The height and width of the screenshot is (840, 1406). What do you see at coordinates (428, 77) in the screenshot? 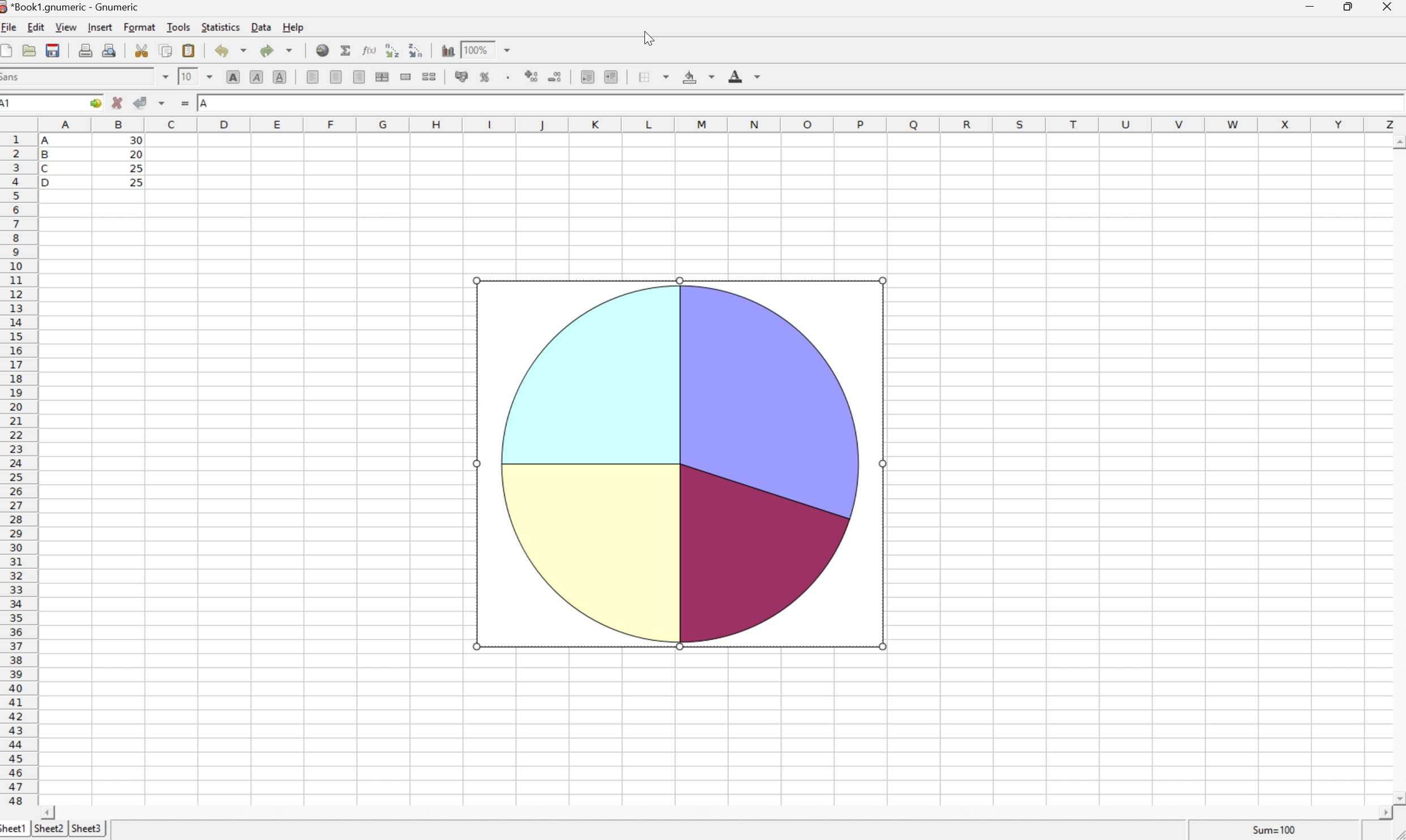
I see `Split merged ranges of cells` at bounding box center [428, 77].